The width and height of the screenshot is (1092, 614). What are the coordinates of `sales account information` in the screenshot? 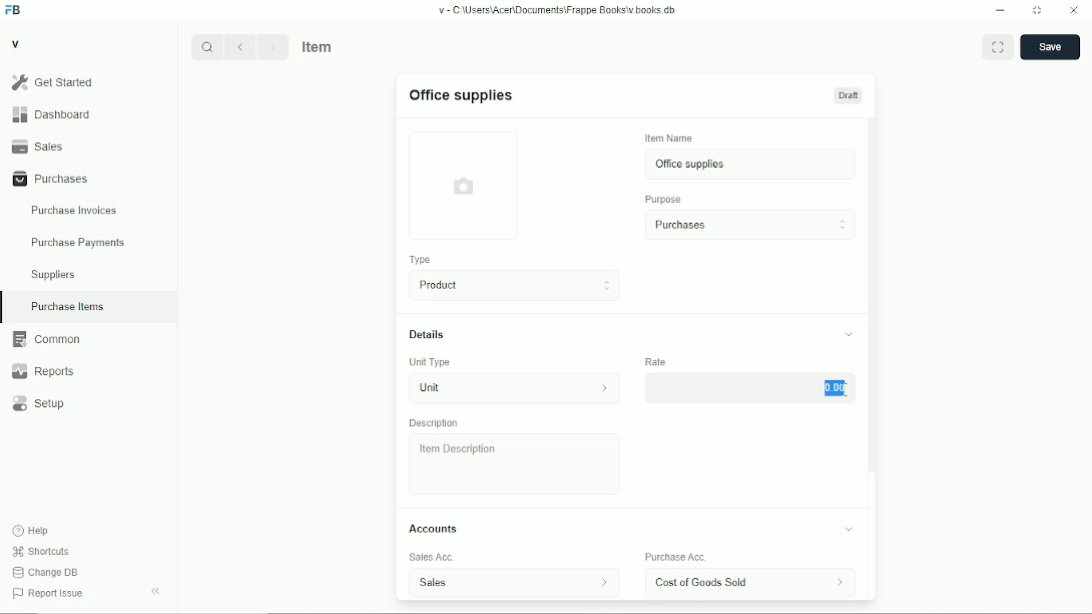 It's located at (604, 582).